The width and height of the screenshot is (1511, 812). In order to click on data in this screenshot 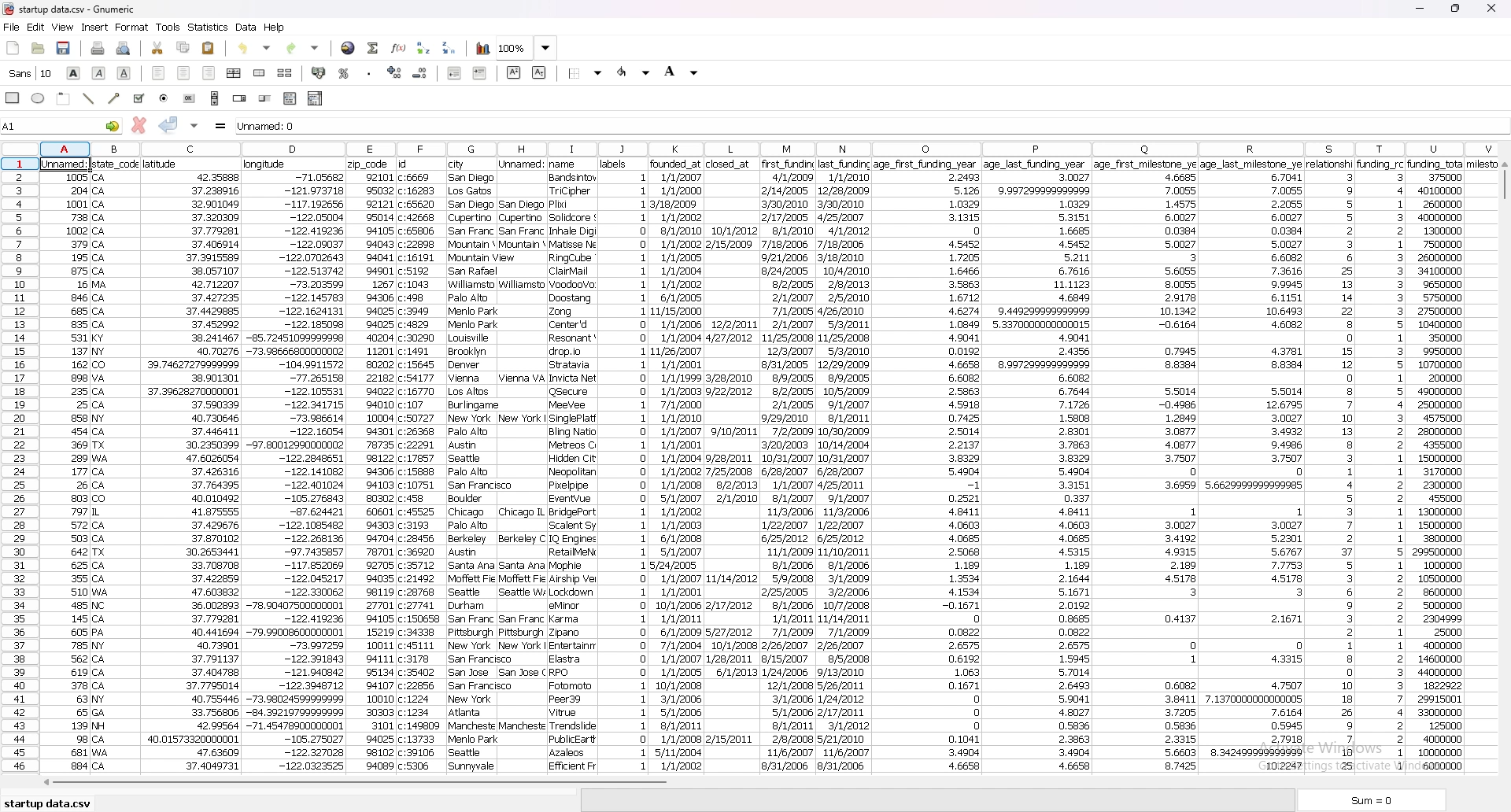, I will do `click(730, 466)`.